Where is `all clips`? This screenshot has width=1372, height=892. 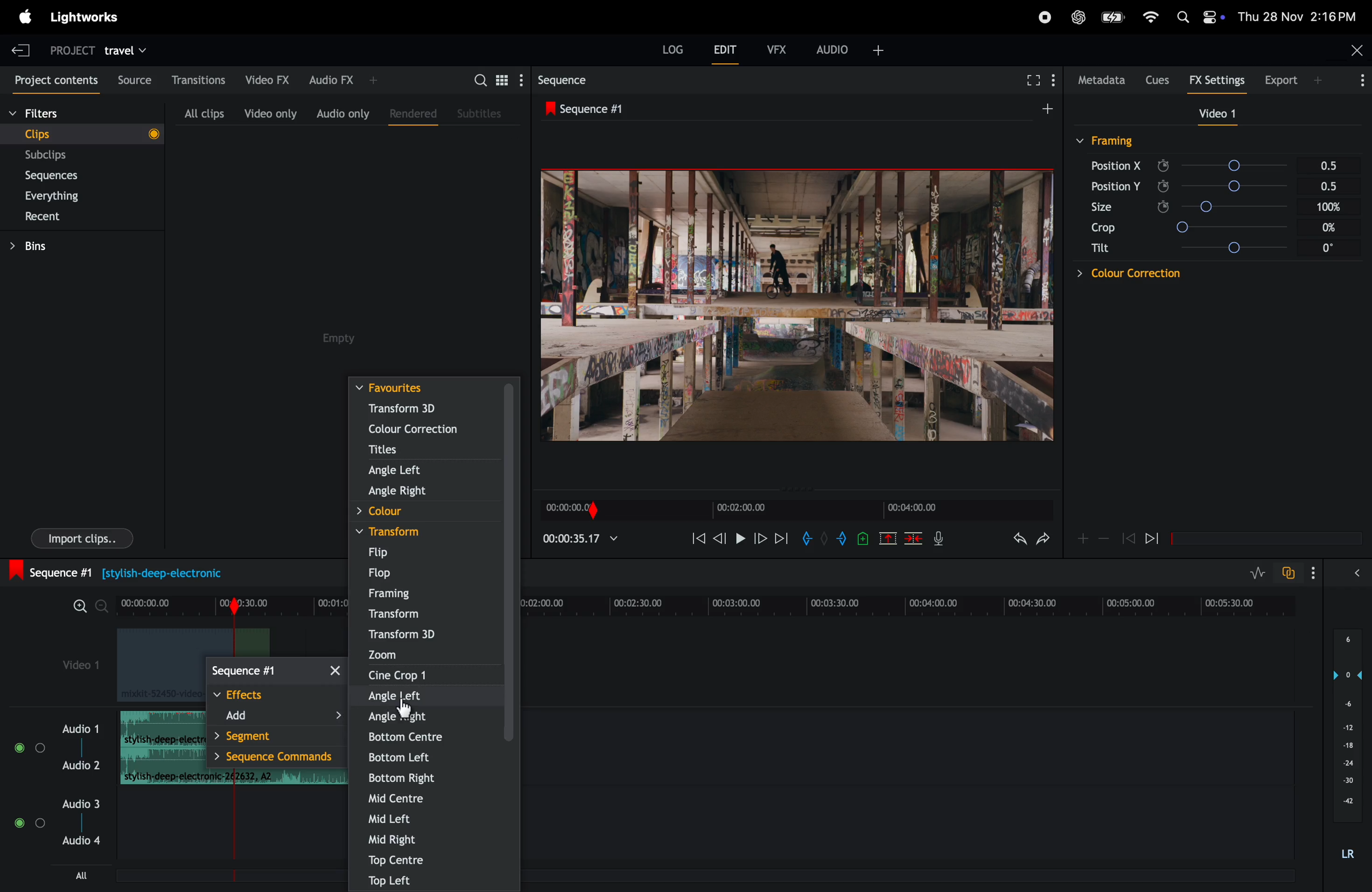 all clips is located at coordinates (199, 113).